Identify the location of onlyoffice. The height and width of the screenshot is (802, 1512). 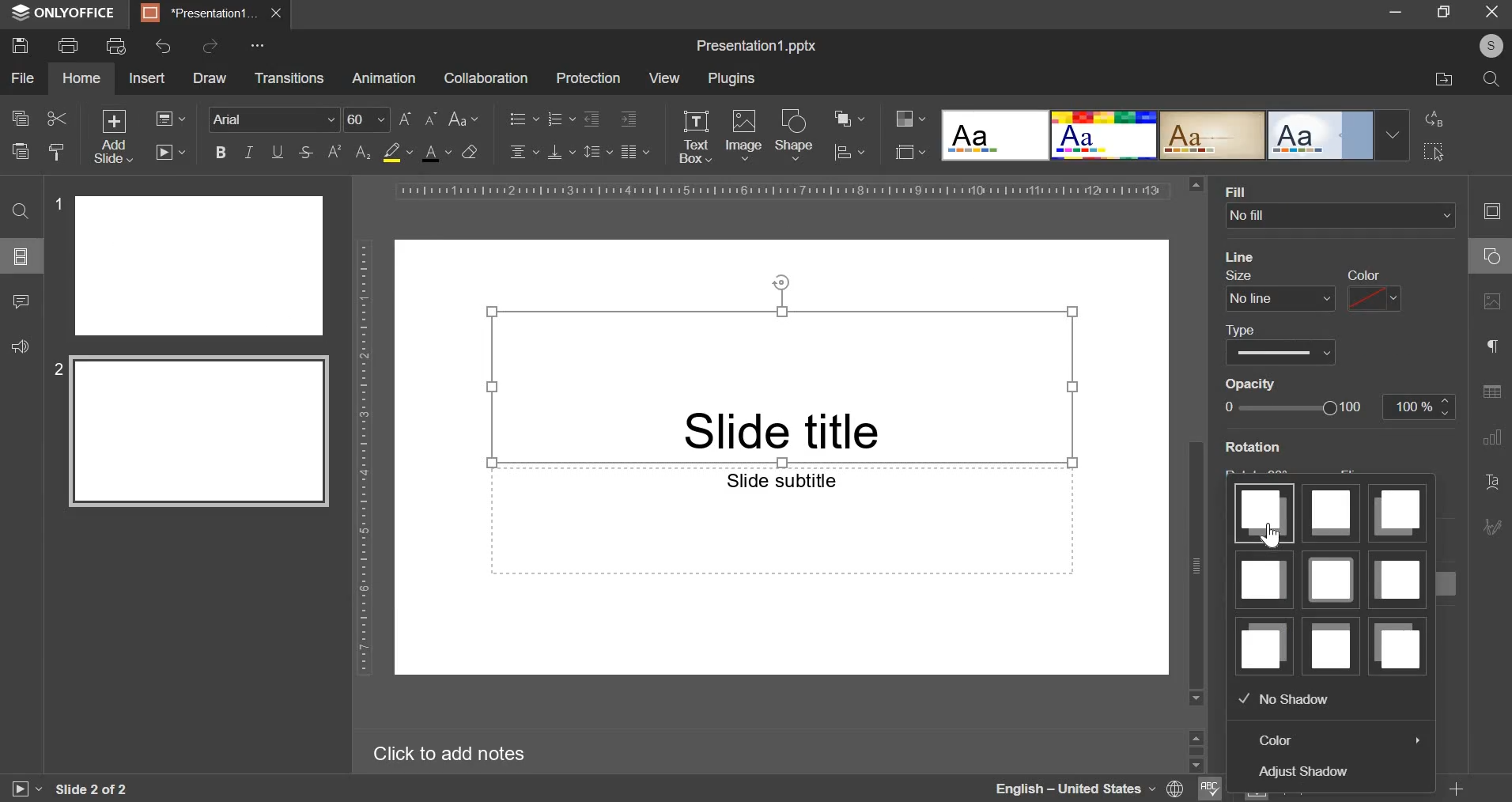
(68, 13).